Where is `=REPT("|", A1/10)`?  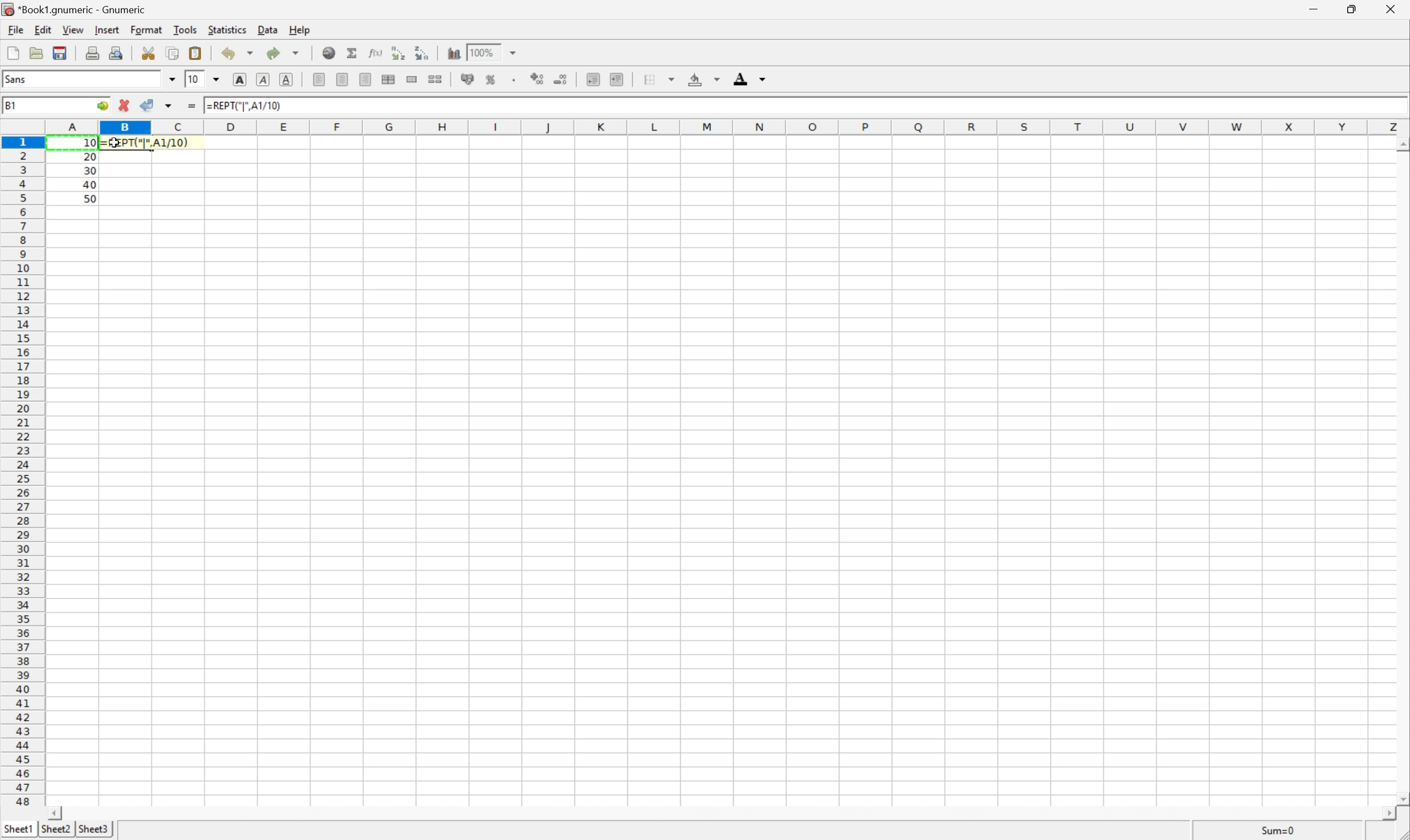 =REPT("|", A1/10) is located at coordinates (147, 142).